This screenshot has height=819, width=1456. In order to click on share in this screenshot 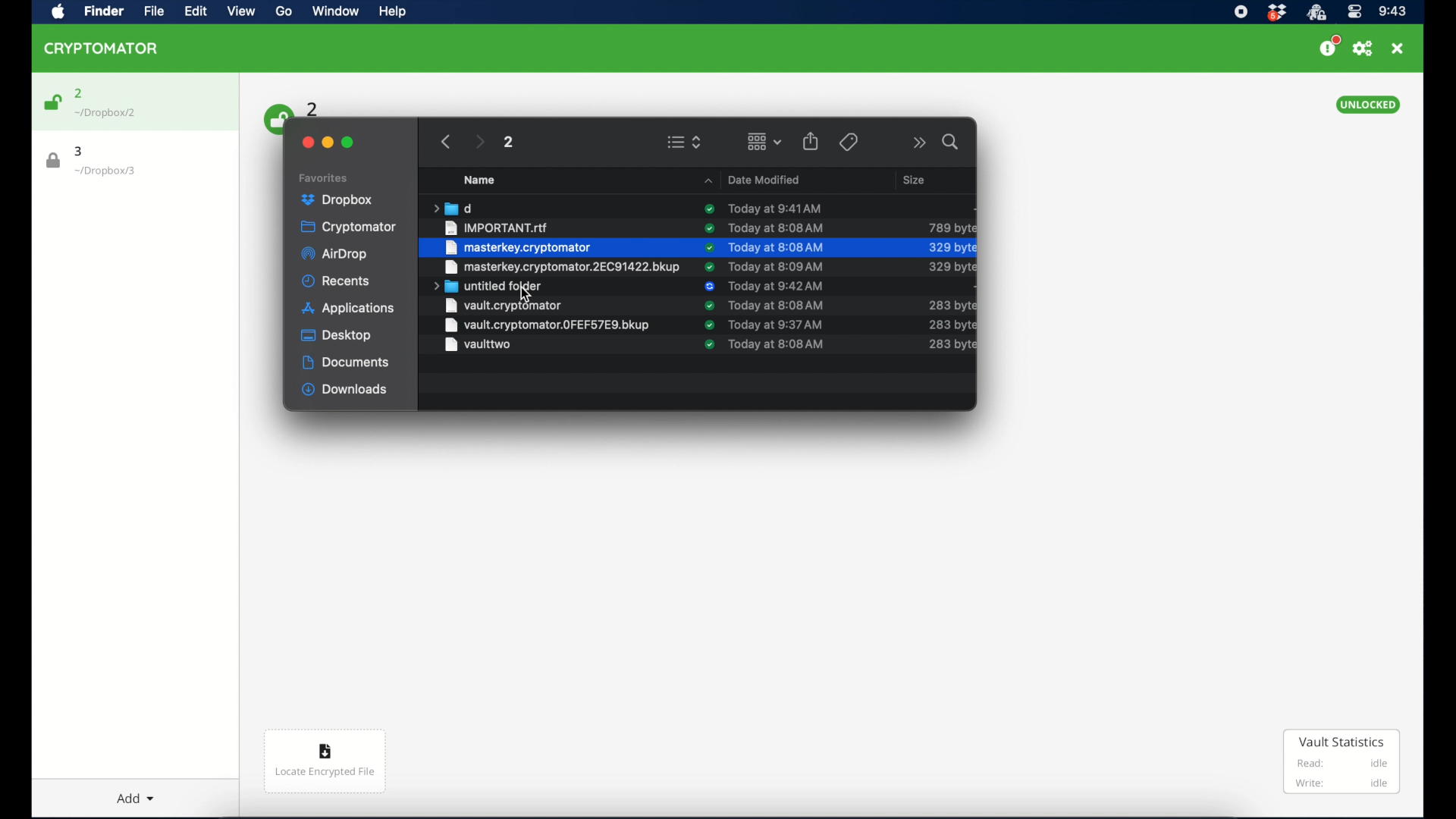, I will do `click(811, 141)`.